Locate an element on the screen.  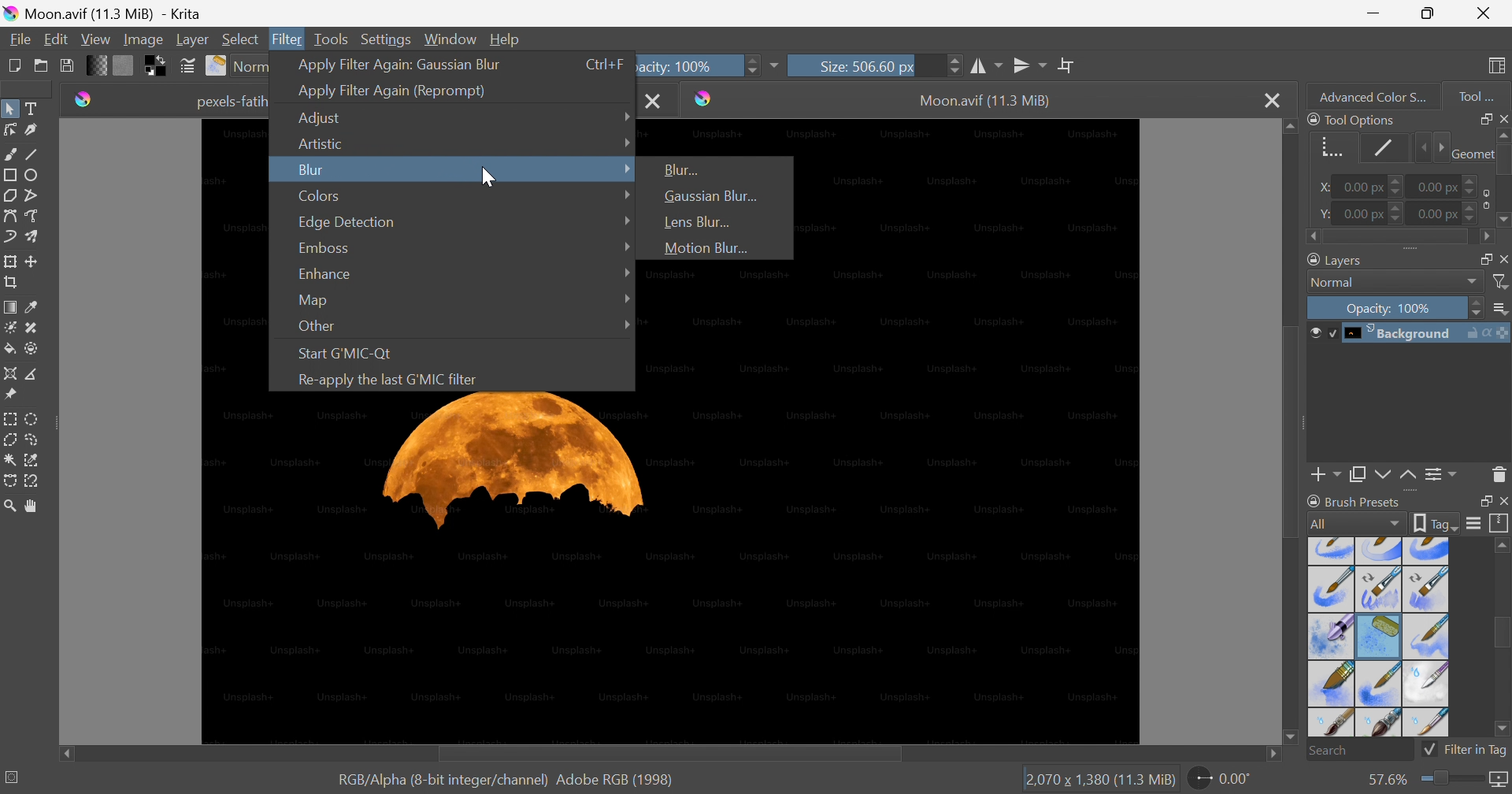
57.6% is located at coordinates (1384, 780).